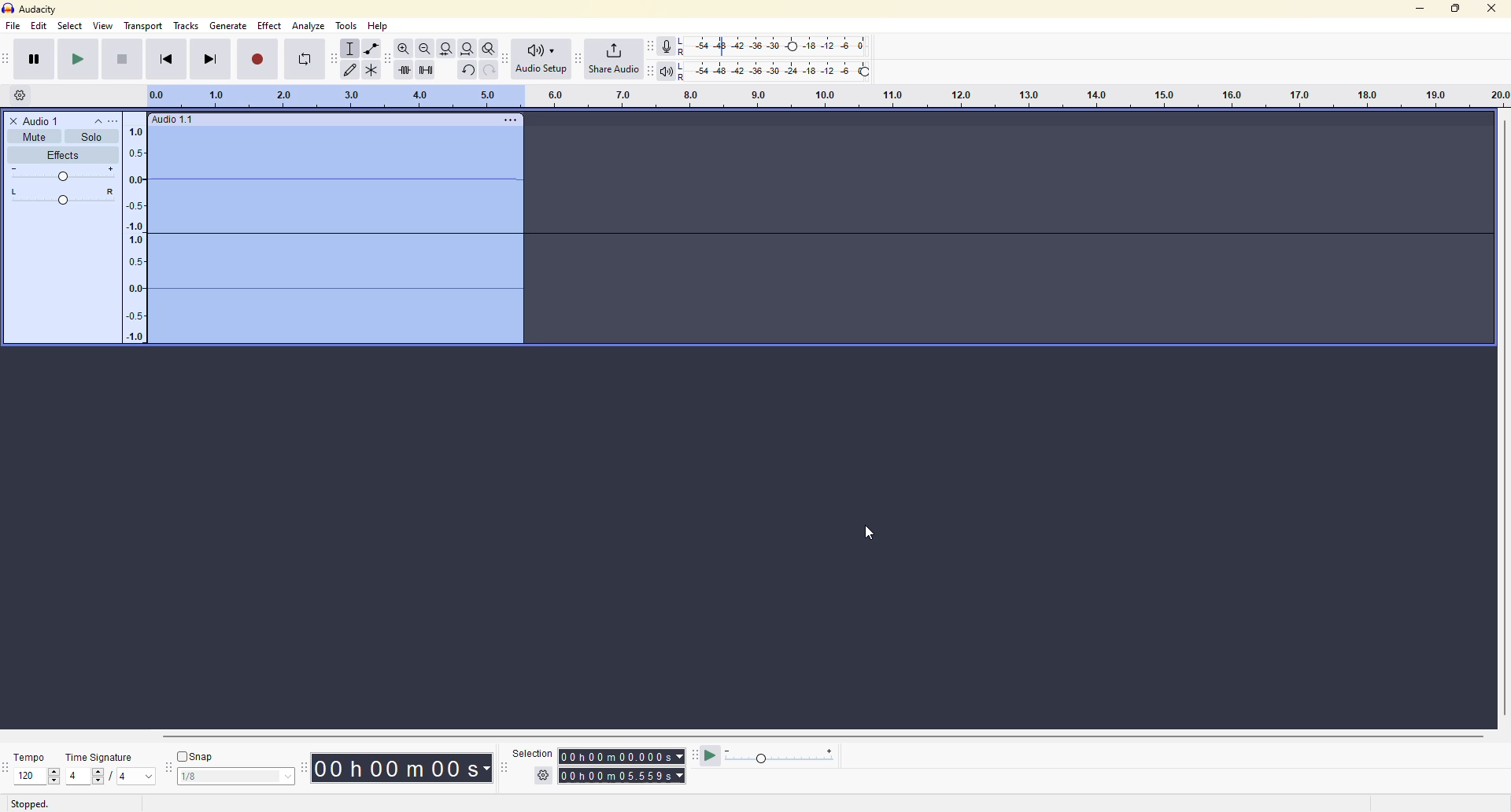  What do you see at coordinates (468, 49) in the screenshot?
I see `fit project to width` at bounding box center [468, 49].